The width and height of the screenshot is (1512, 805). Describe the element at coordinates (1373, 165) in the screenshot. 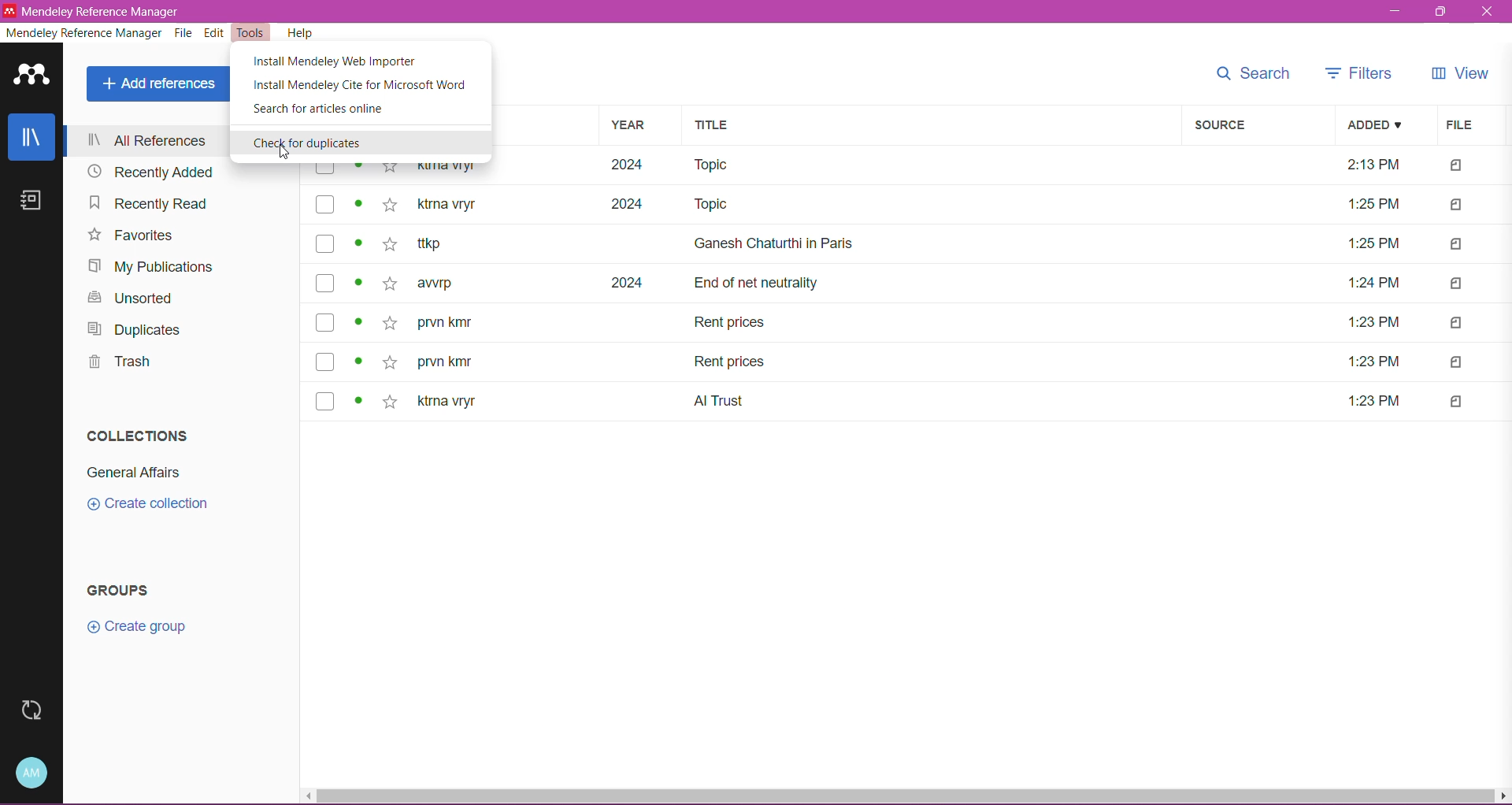

I see `time` at that location.